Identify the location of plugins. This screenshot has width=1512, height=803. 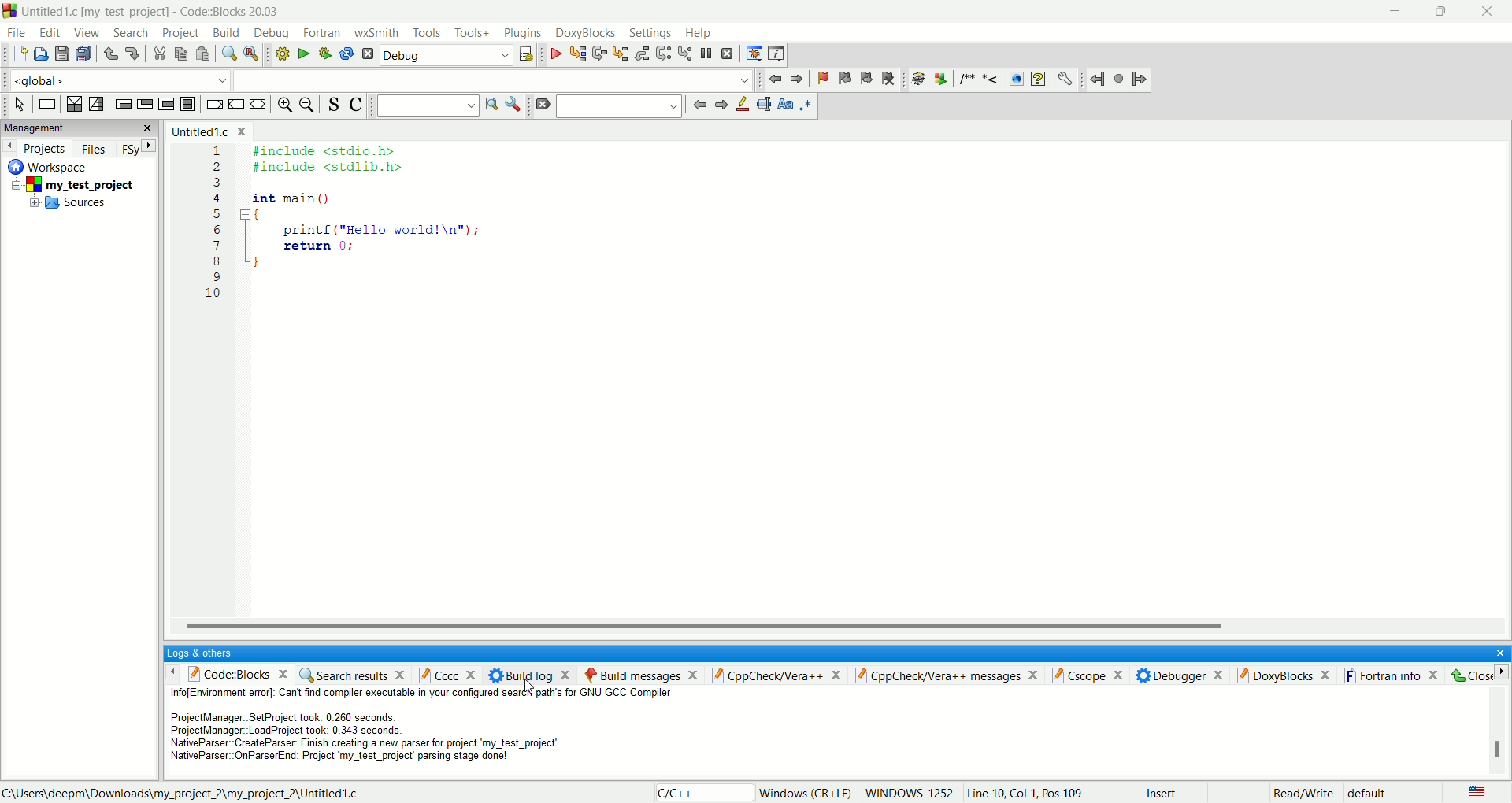
(524, 34).